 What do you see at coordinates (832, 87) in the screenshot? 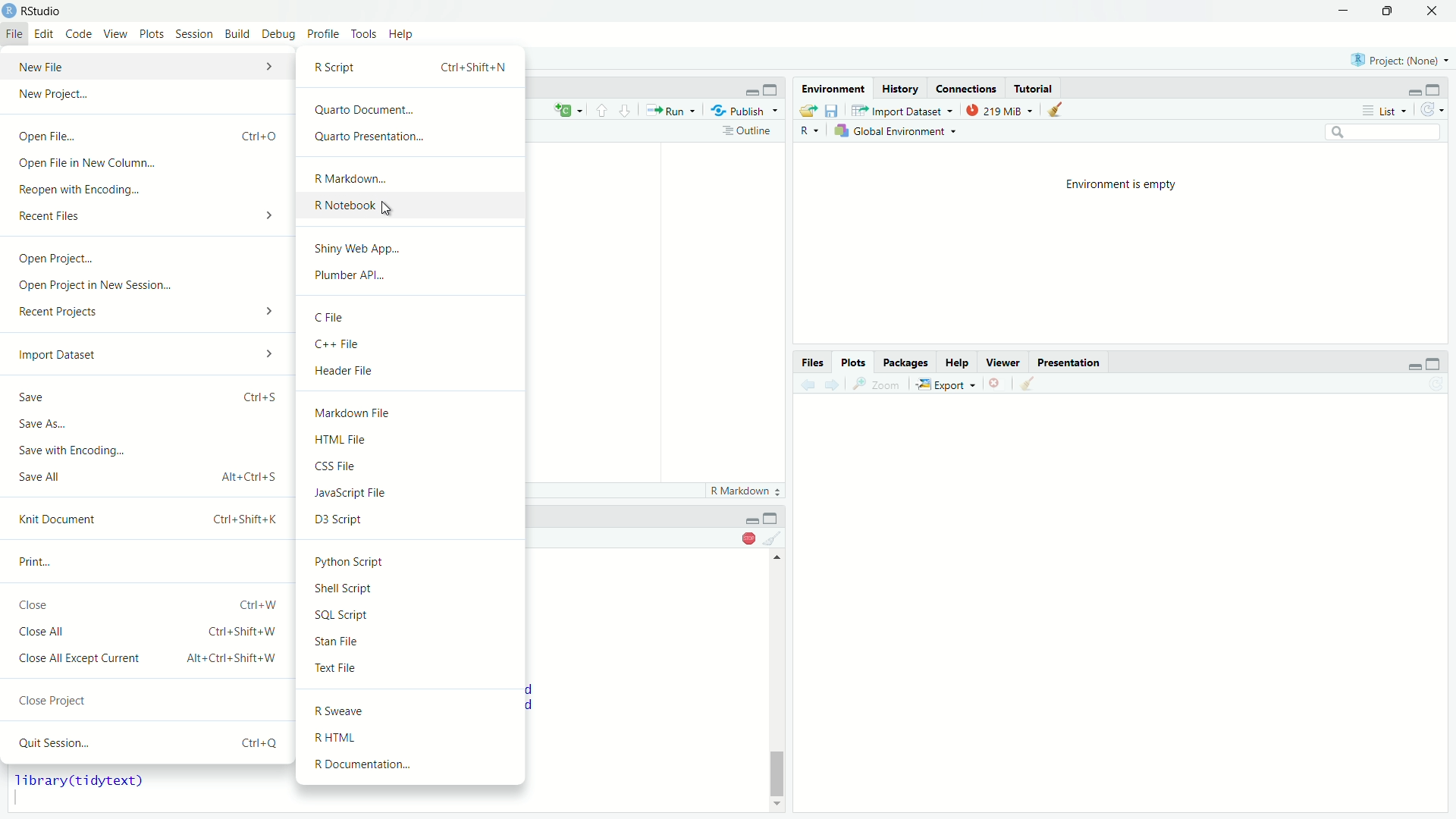
I see `Environment` at bounding box center [832, 87].